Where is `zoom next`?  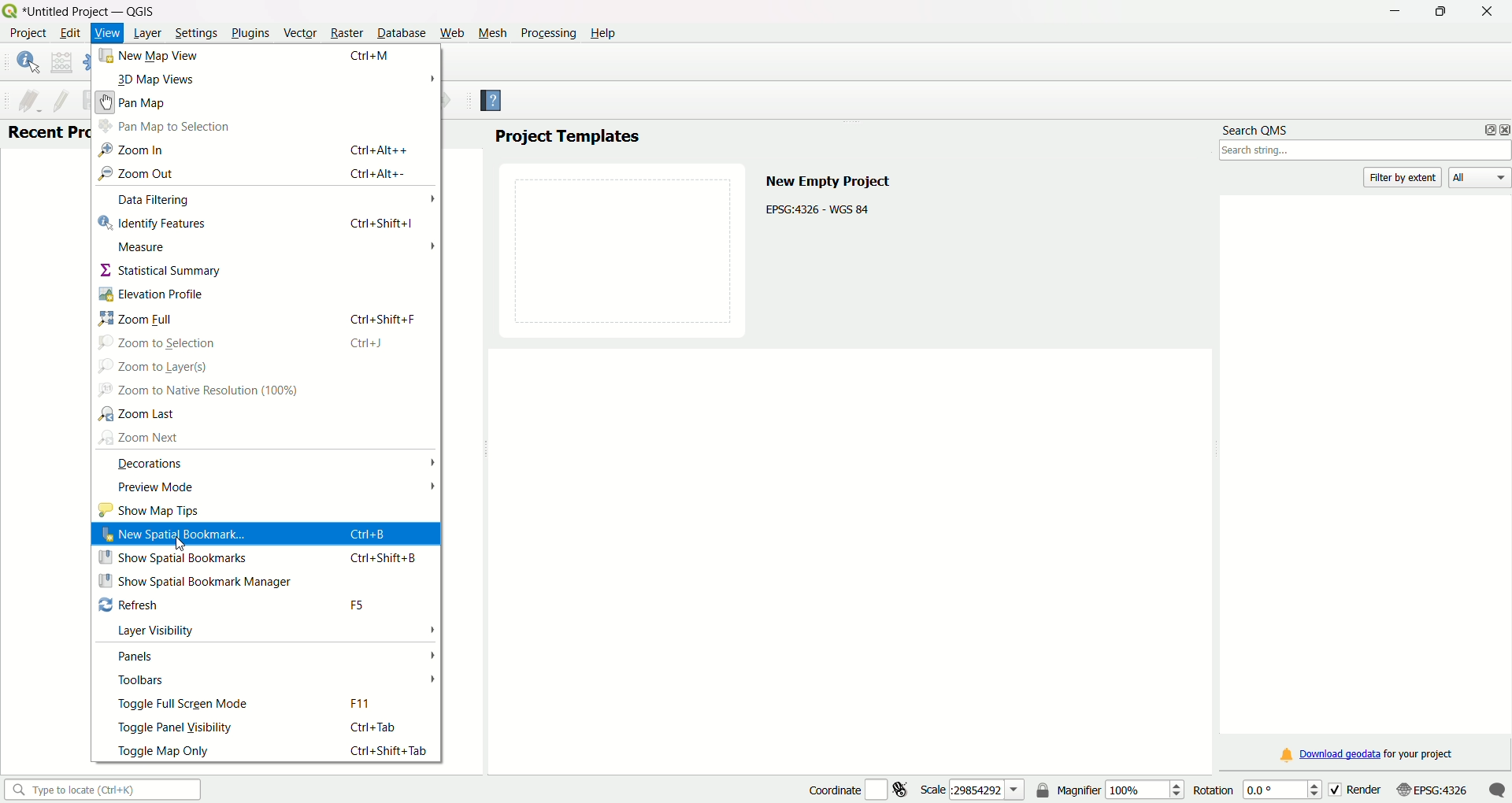
zoom next is located at coordinates (143, 436).